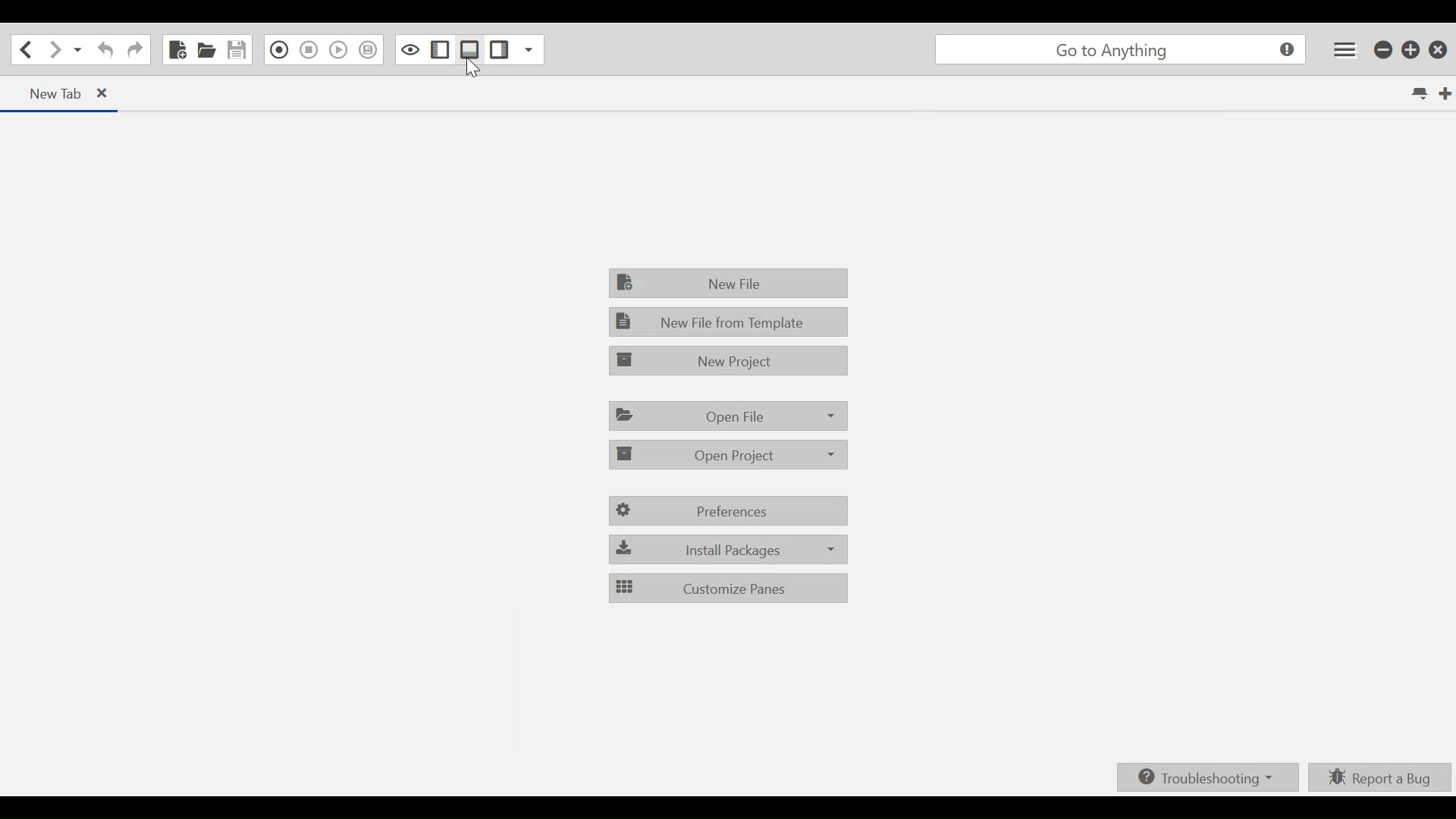 The image size is (1456, 819). I want to click on Customize Panes, so click(727, 588).